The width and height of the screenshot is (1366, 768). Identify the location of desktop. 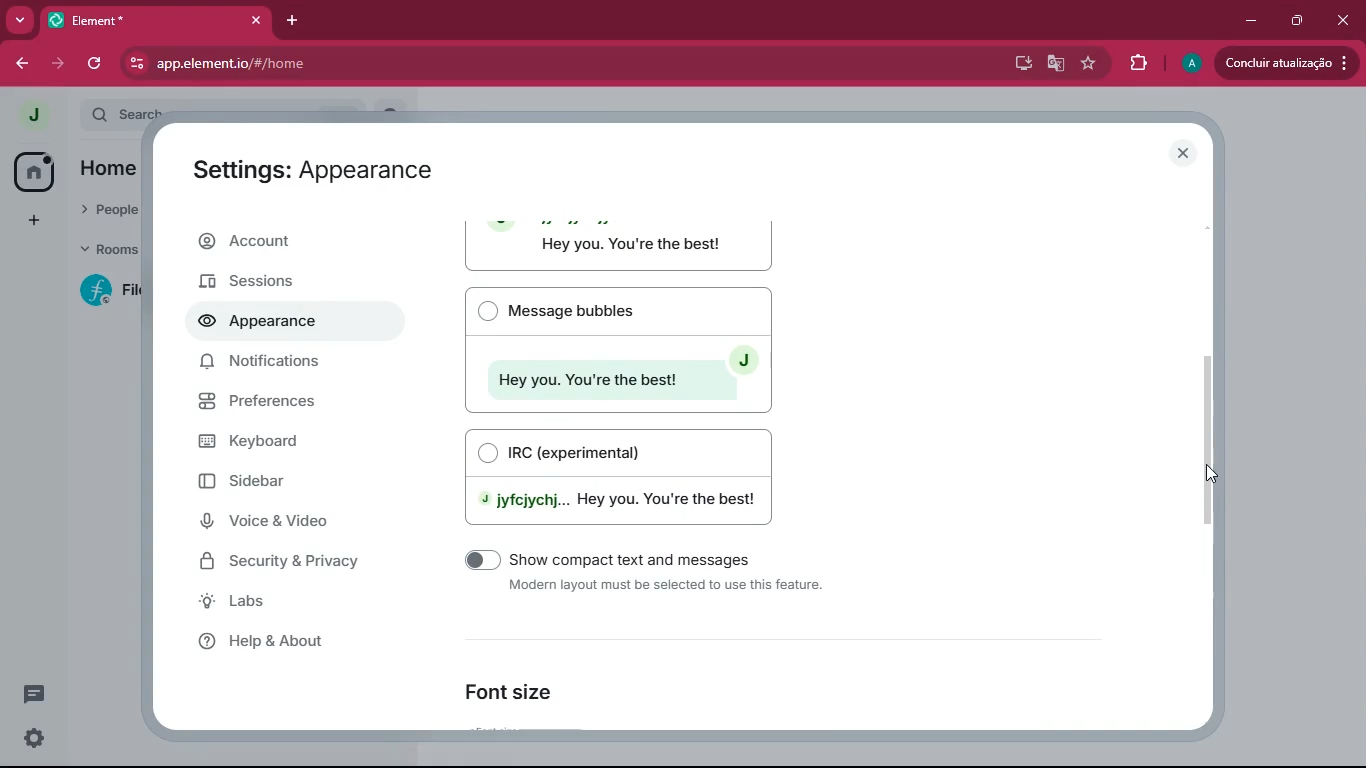
(1020, 64).